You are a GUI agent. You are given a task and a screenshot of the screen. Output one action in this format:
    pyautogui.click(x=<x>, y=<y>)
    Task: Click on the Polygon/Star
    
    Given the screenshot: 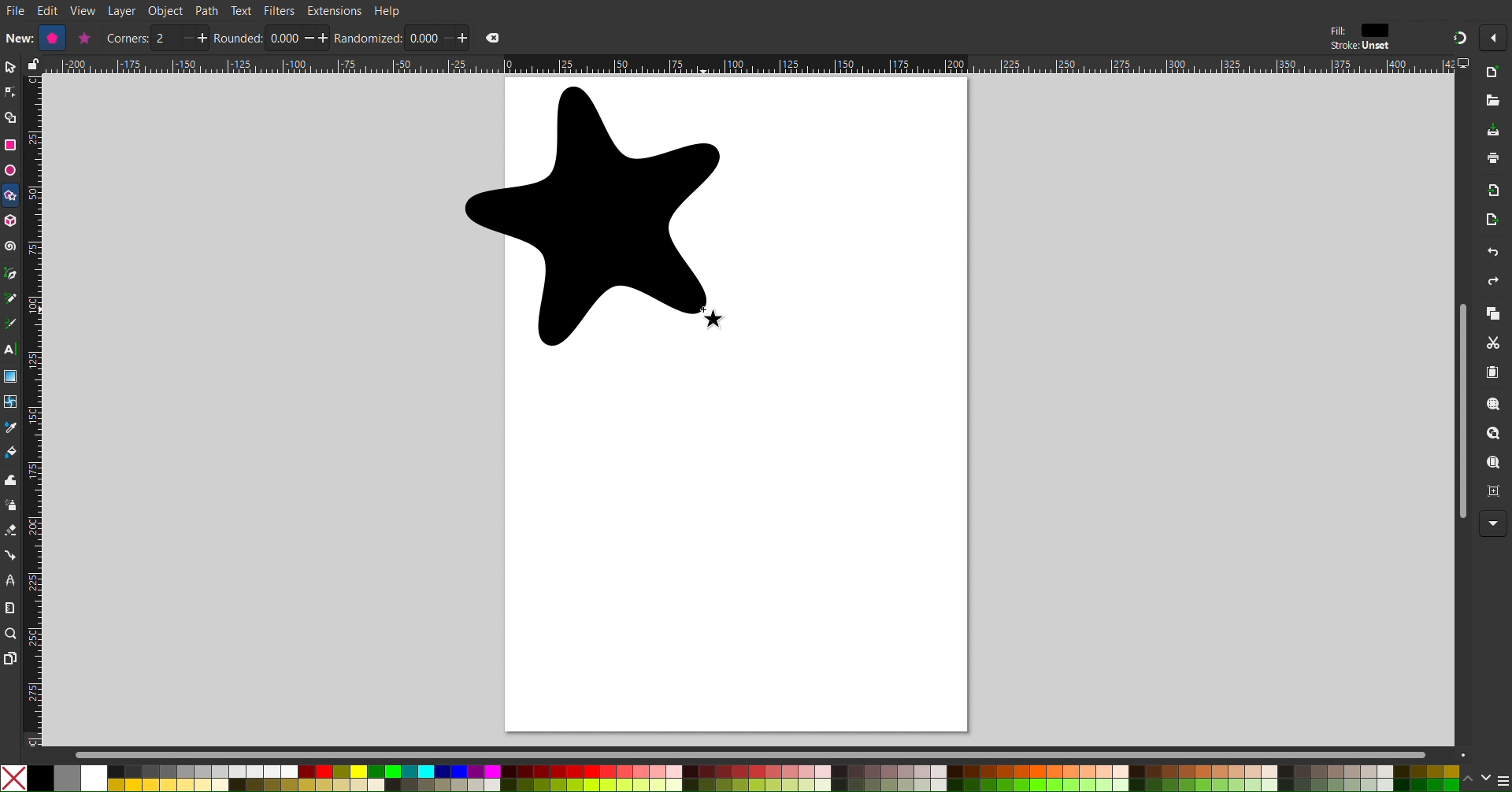 What is the action you would take?
    pyautogui.click(x=11, y=198)
    